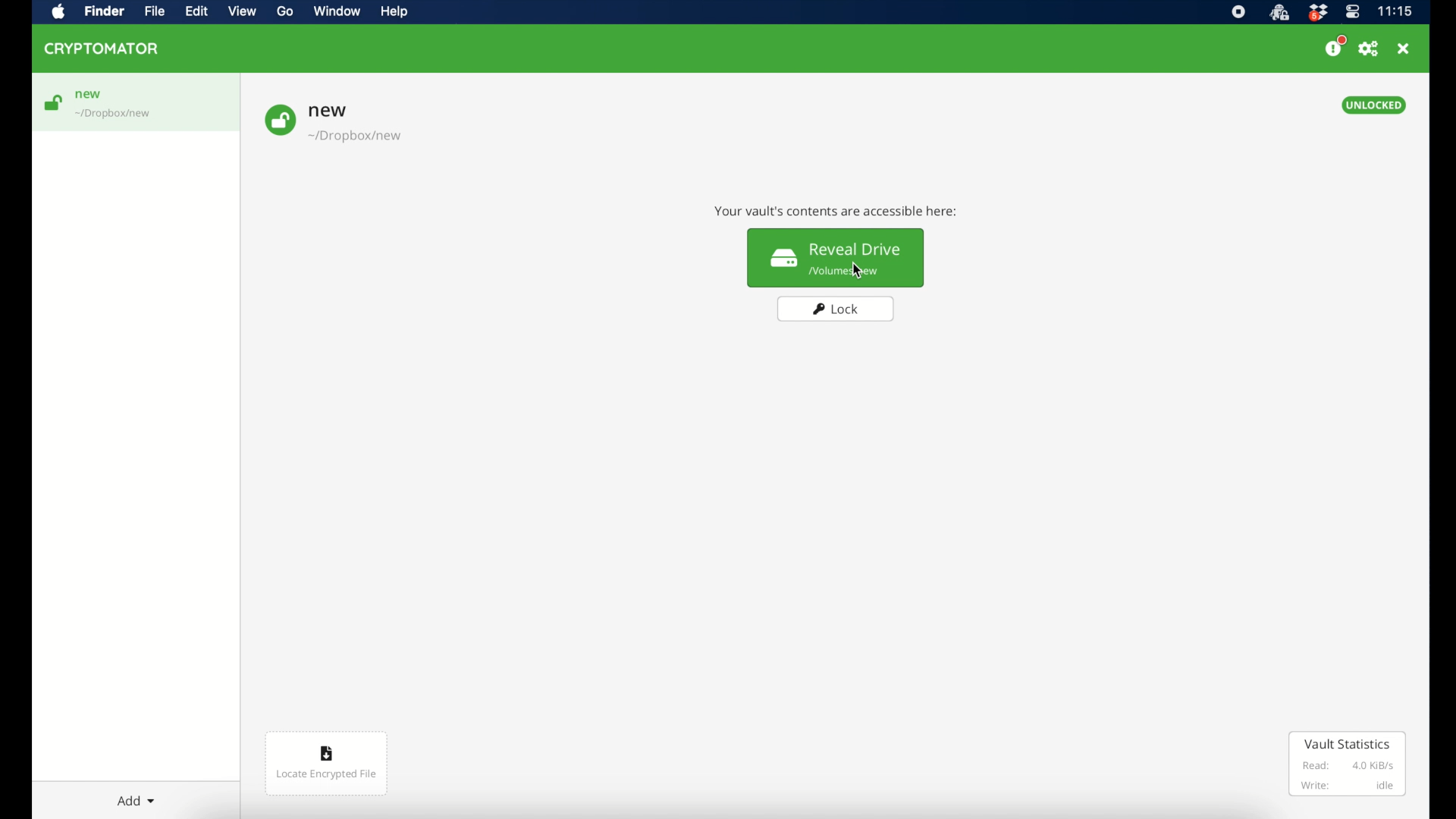  I want to click on location, so click(356, 136).